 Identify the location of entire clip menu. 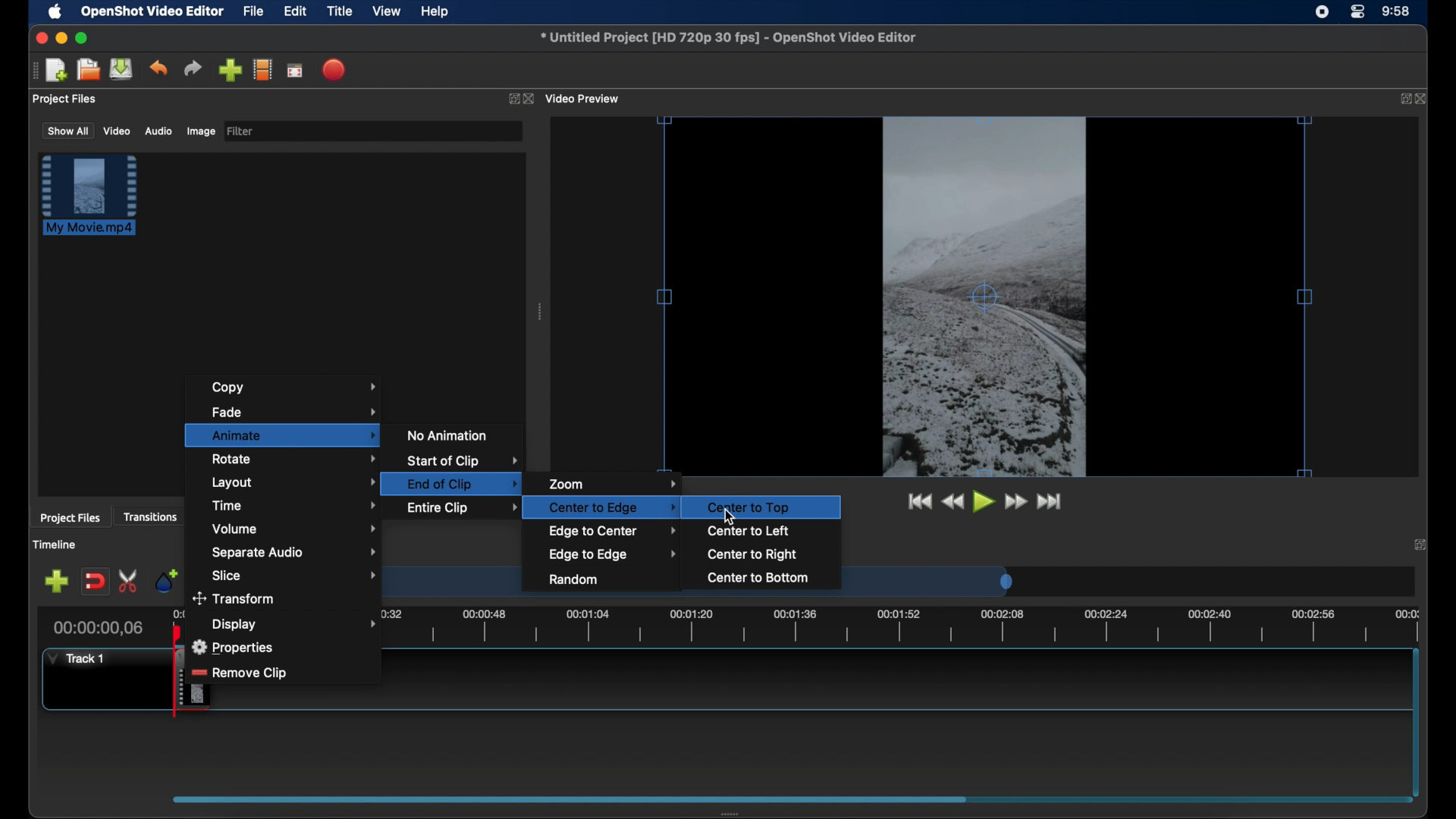
(457, 507).